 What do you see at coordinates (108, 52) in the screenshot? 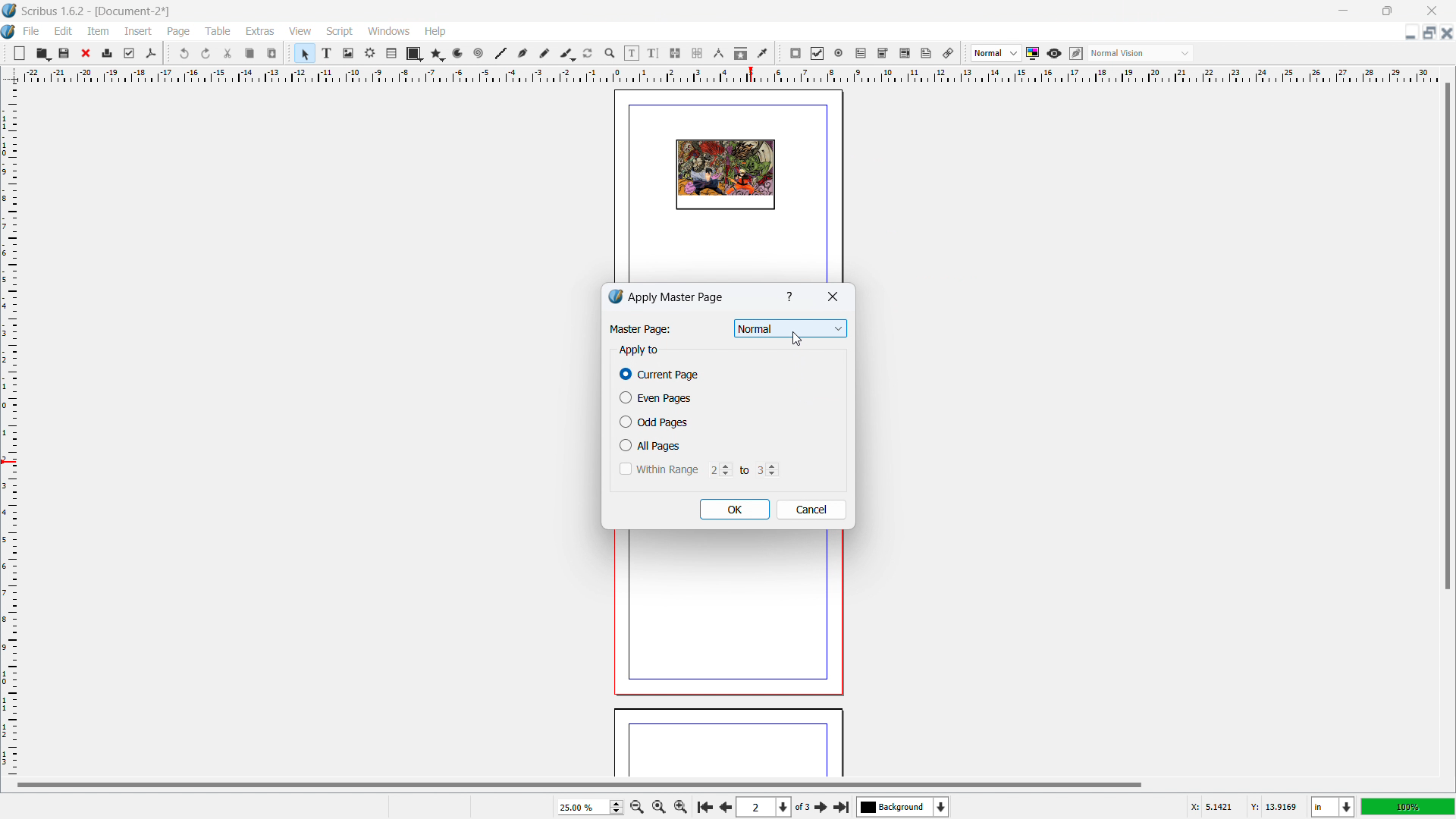
I see `print` at bounding box center [108, 52].